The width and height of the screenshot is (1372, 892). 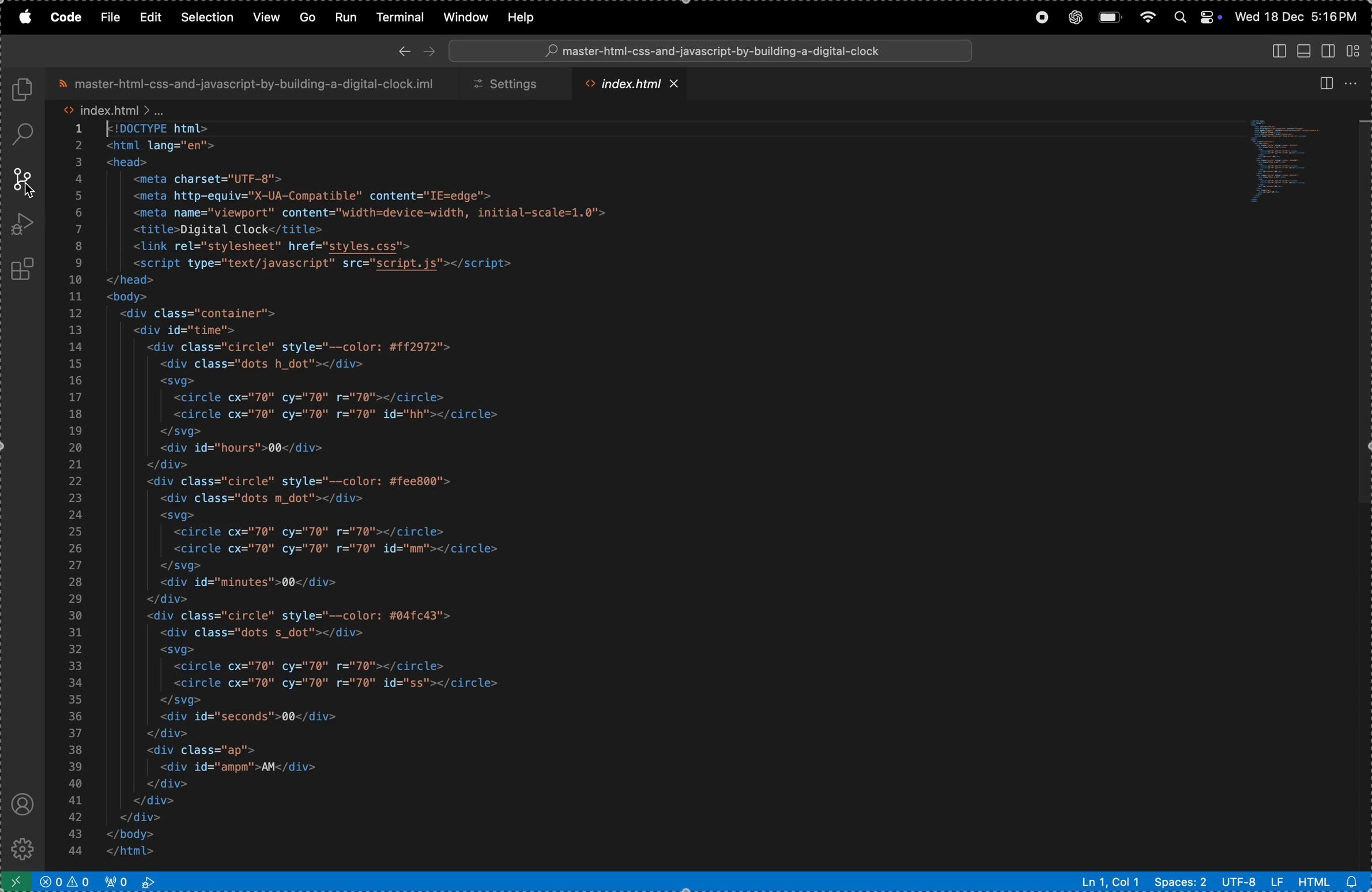 What do you see at coordinates (24, 224) in the screenshot?
I see `run and debug` at bounding box center [24, 224].